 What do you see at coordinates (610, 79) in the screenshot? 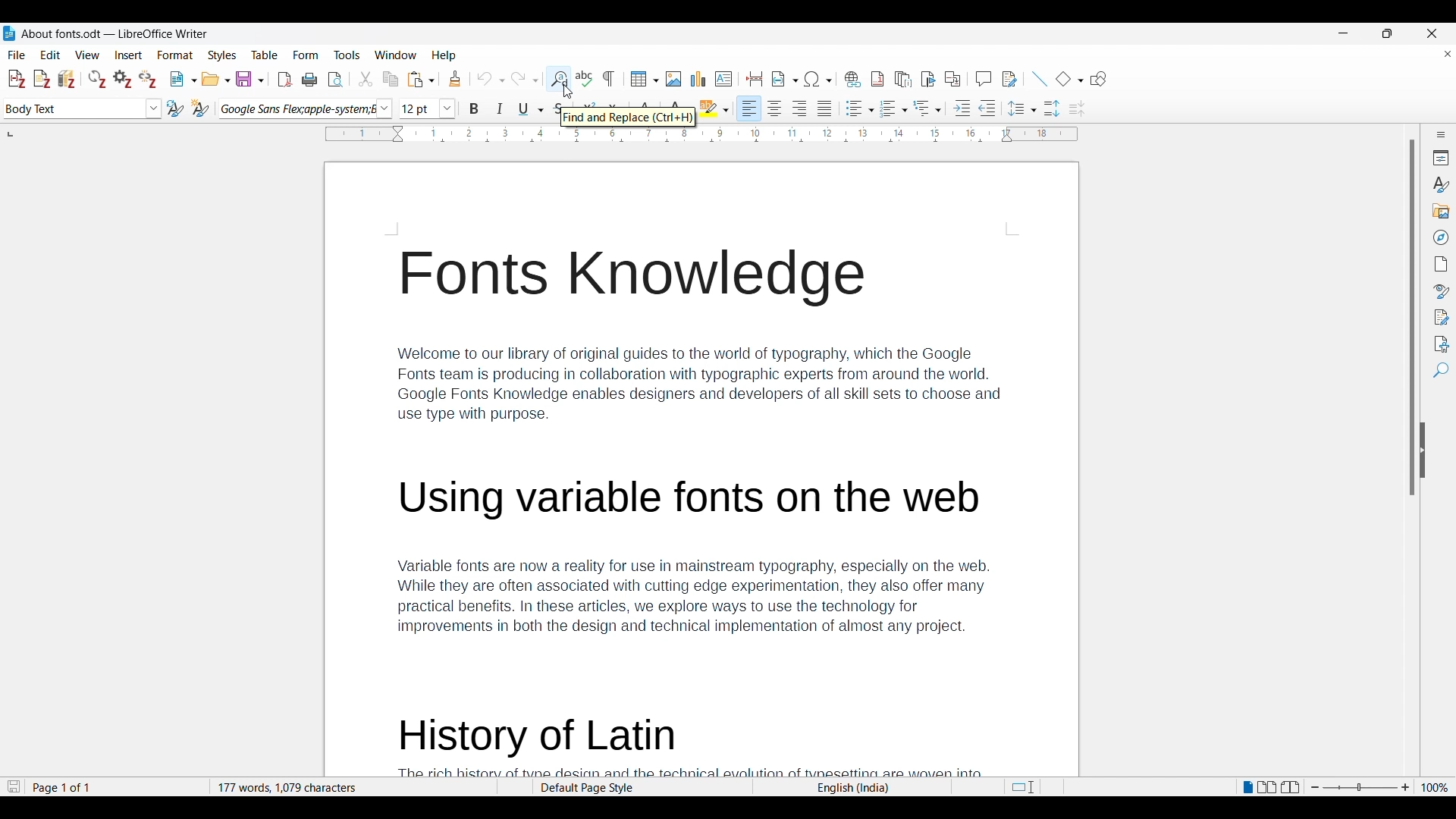
I see `Toggle formatting marks` at bounding box center [610, 79].